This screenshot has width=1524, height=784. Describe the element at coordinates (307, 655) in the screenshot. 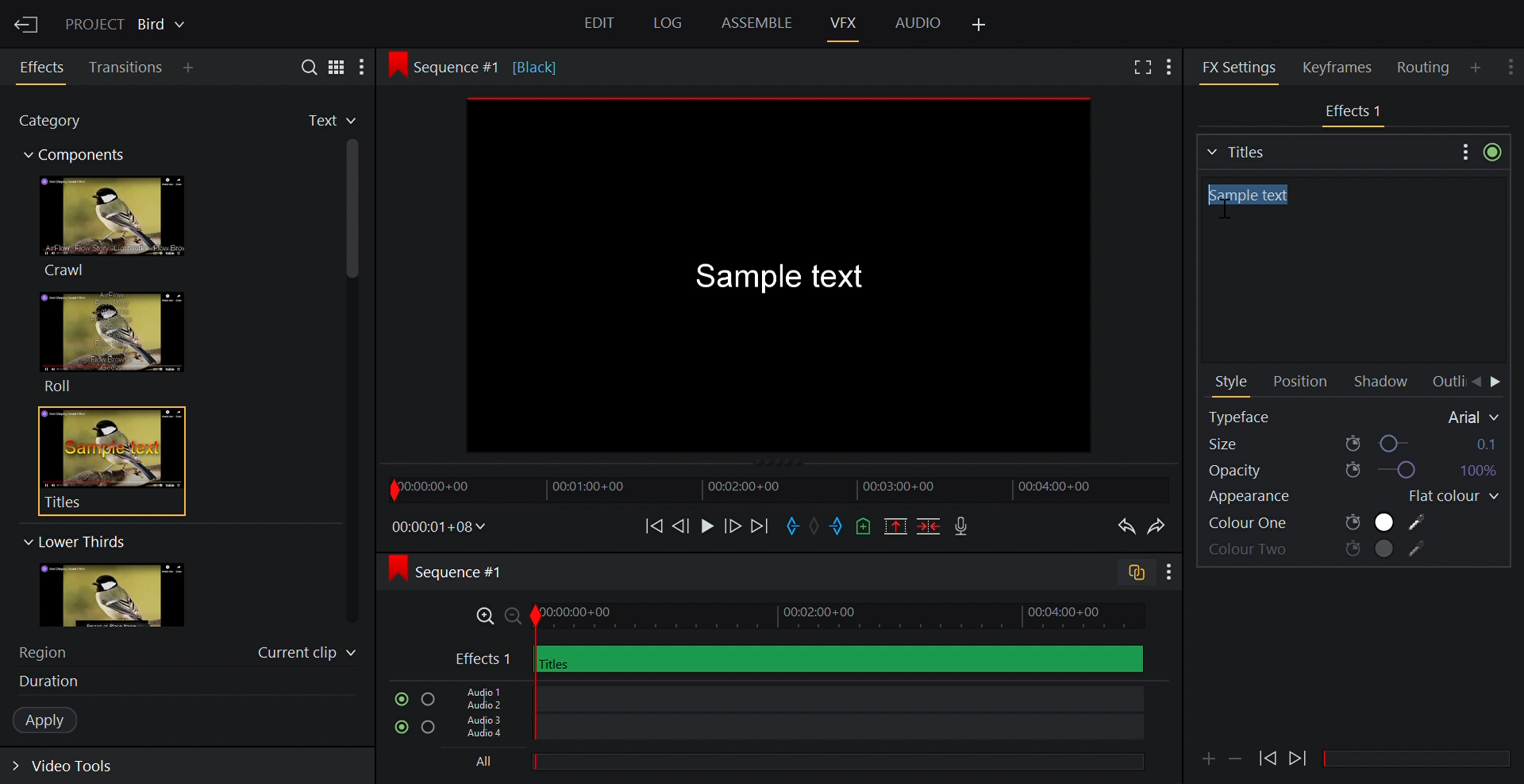

I see `Current clip` at that location.